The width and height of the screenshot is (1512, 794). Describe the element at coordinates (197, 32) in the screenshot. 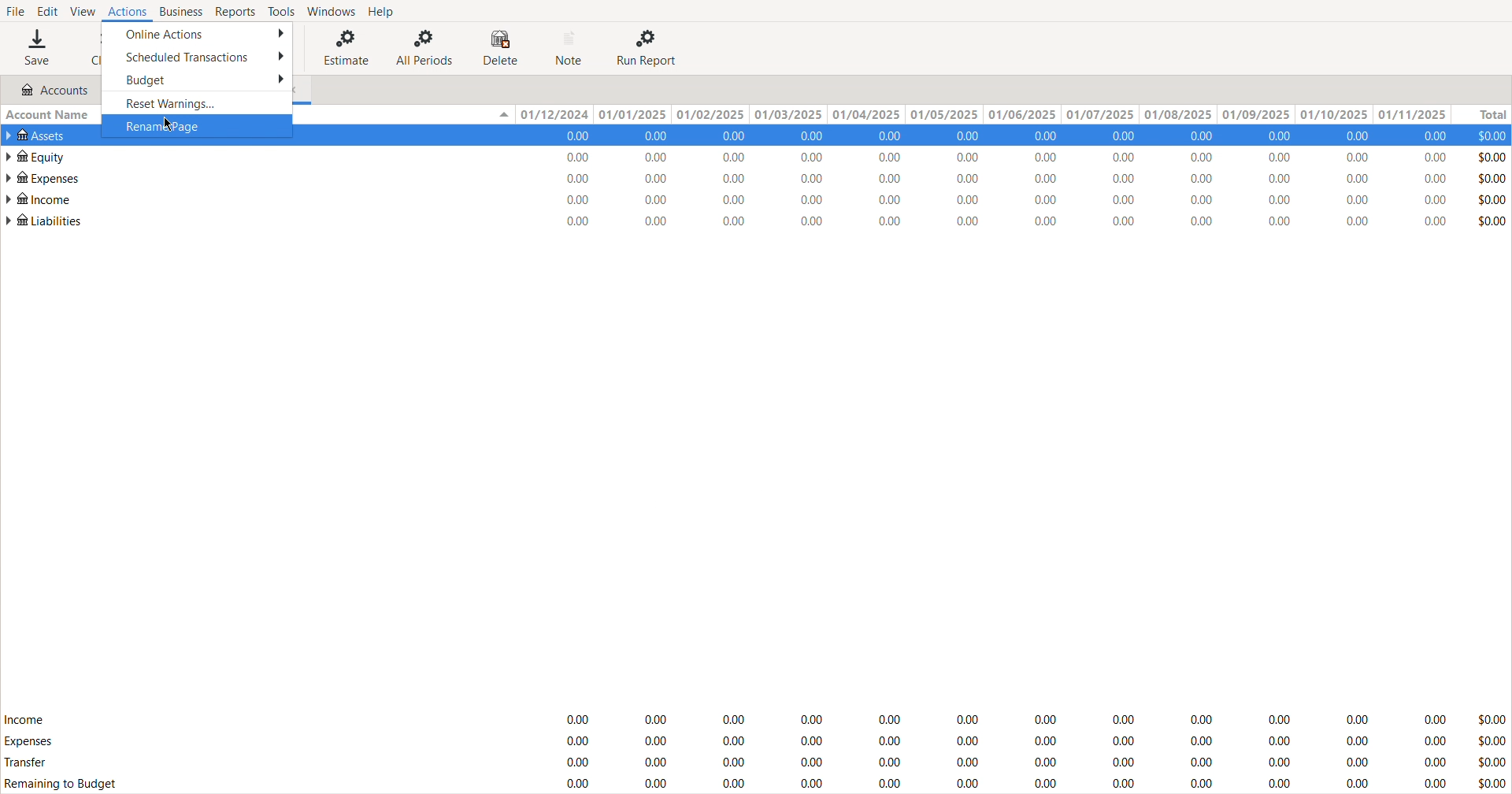

I see `Online actions` at that location.